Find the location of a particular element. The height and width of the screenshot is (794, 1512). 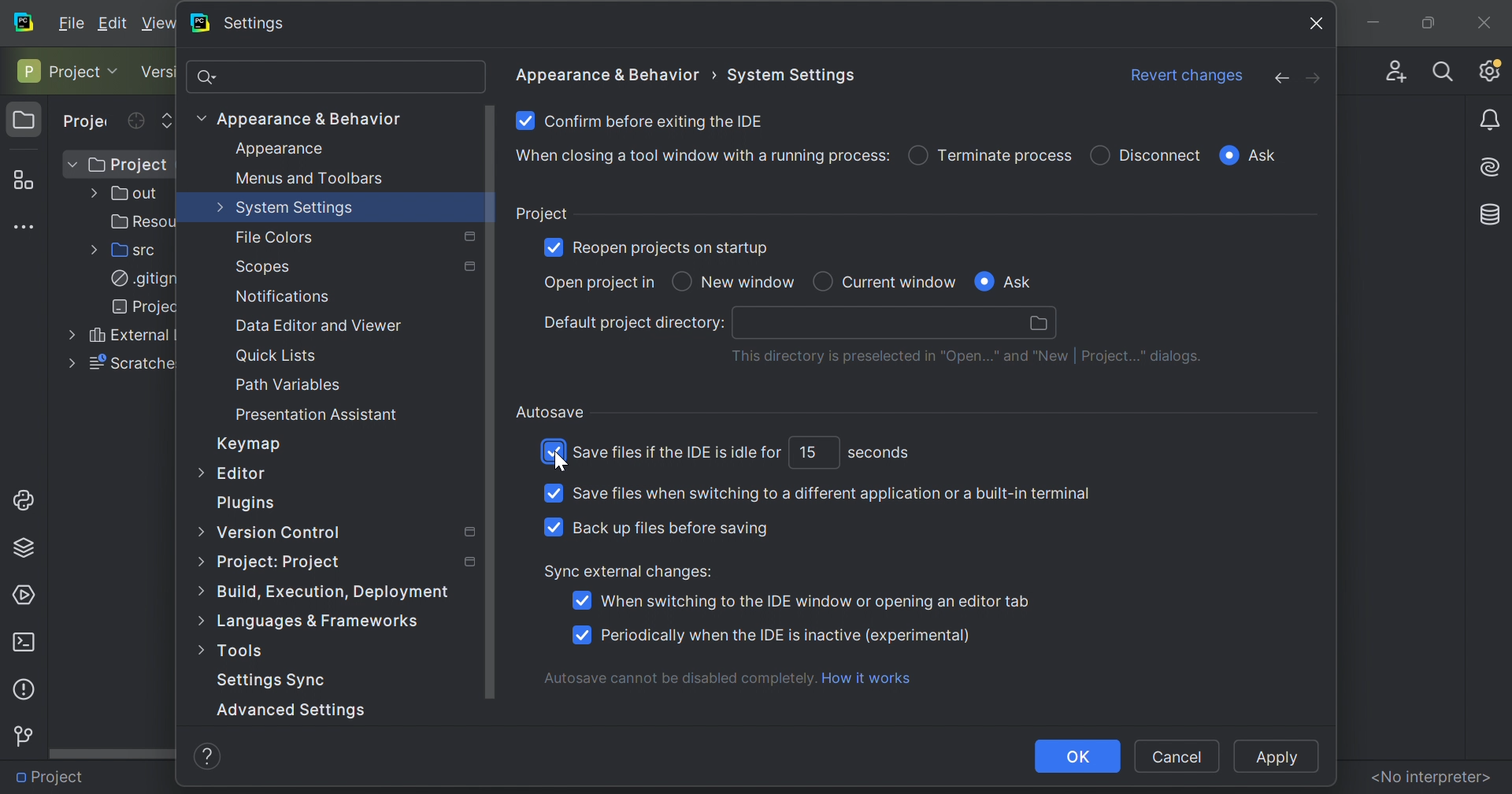

New window is located at coordinates (751, 283).